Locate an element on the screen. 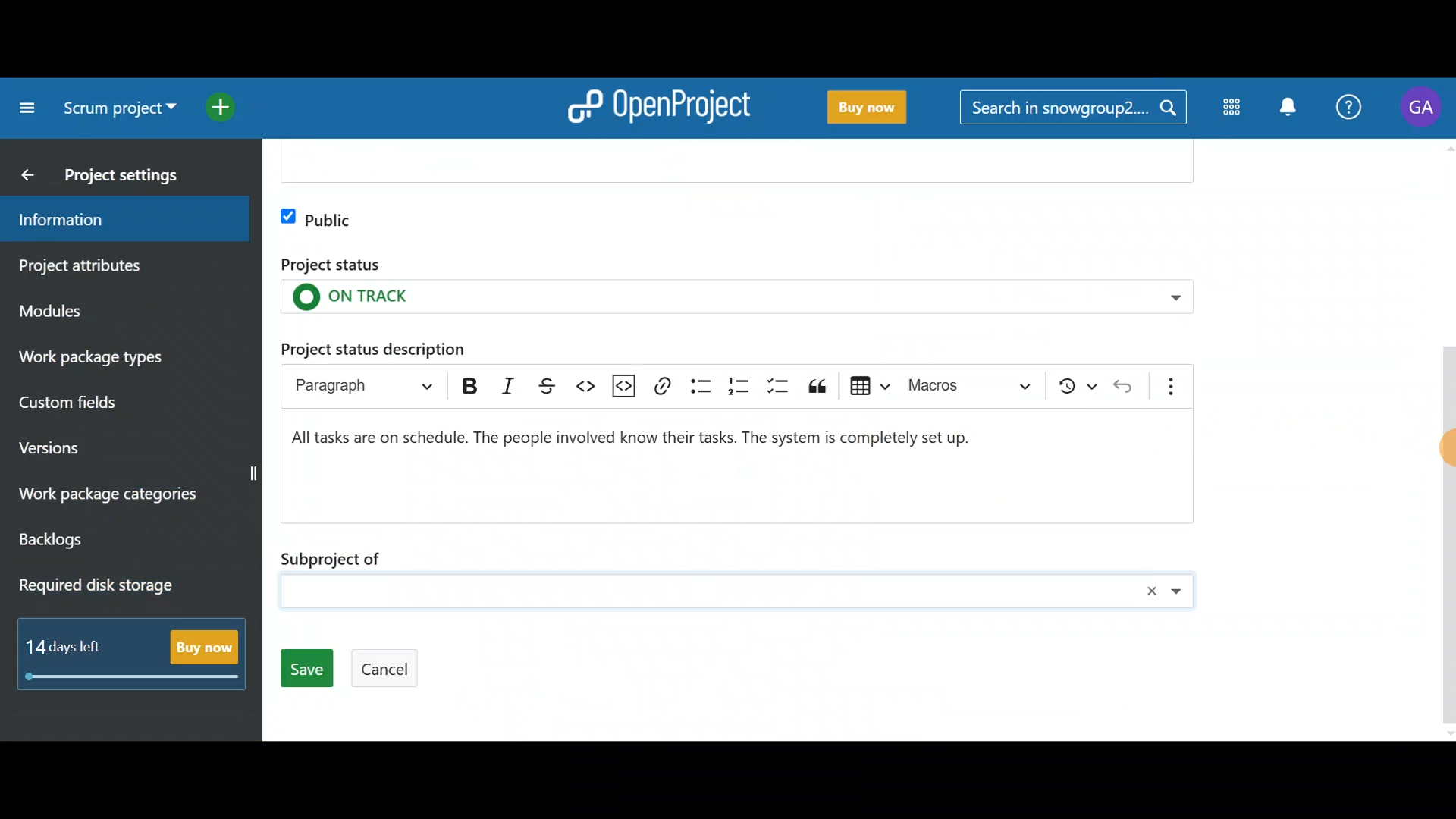  Account name is located at coordinates (1424, 108).